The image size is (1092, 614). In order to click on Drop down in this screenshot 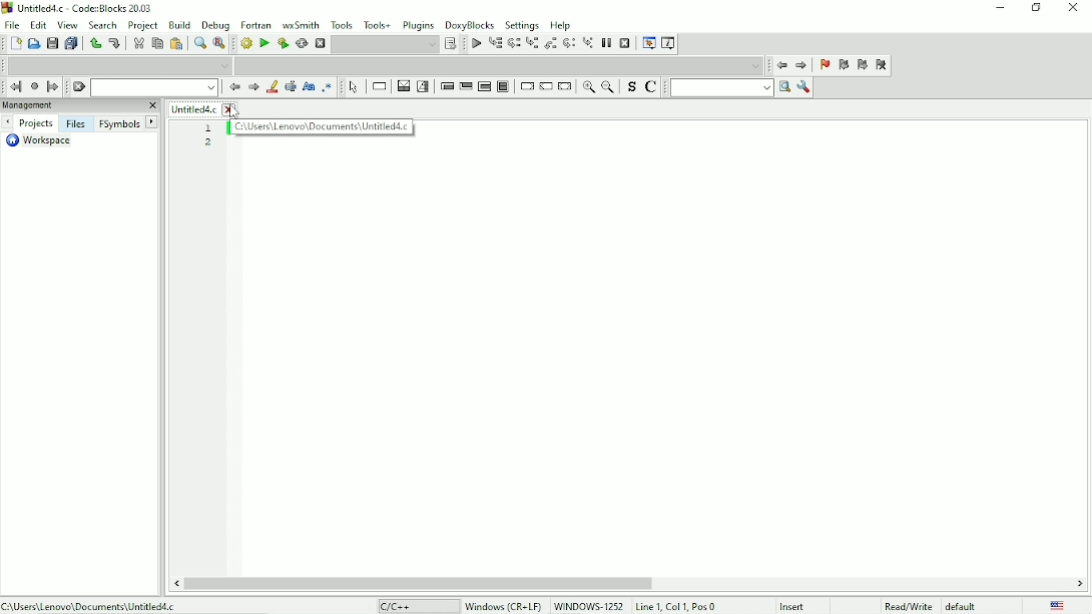, I will do `click(117, 65)`.